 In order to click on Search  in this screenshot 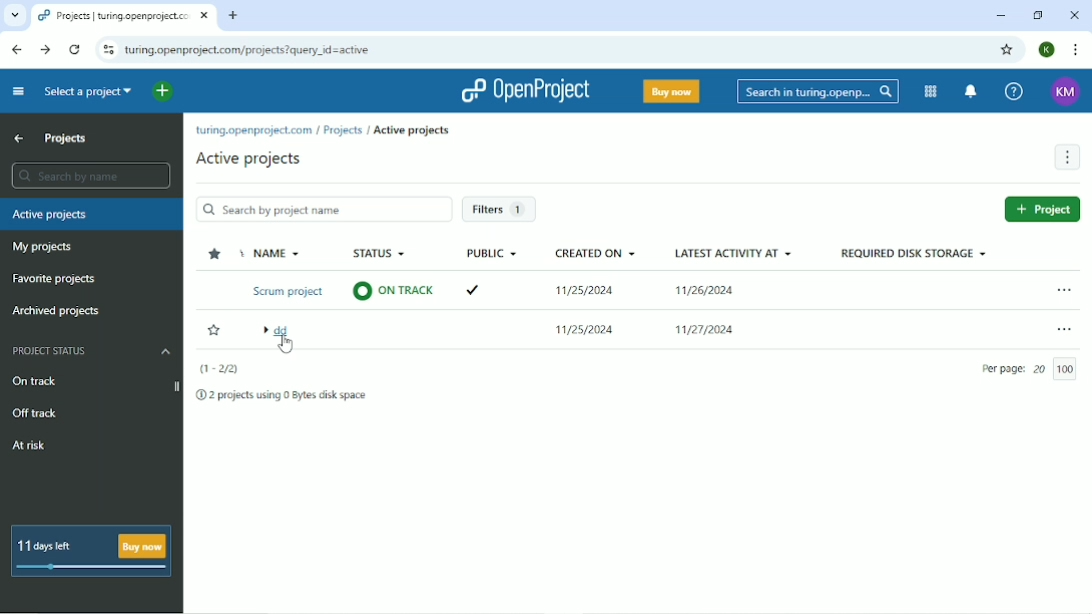, I will do `click(814, 92)`.